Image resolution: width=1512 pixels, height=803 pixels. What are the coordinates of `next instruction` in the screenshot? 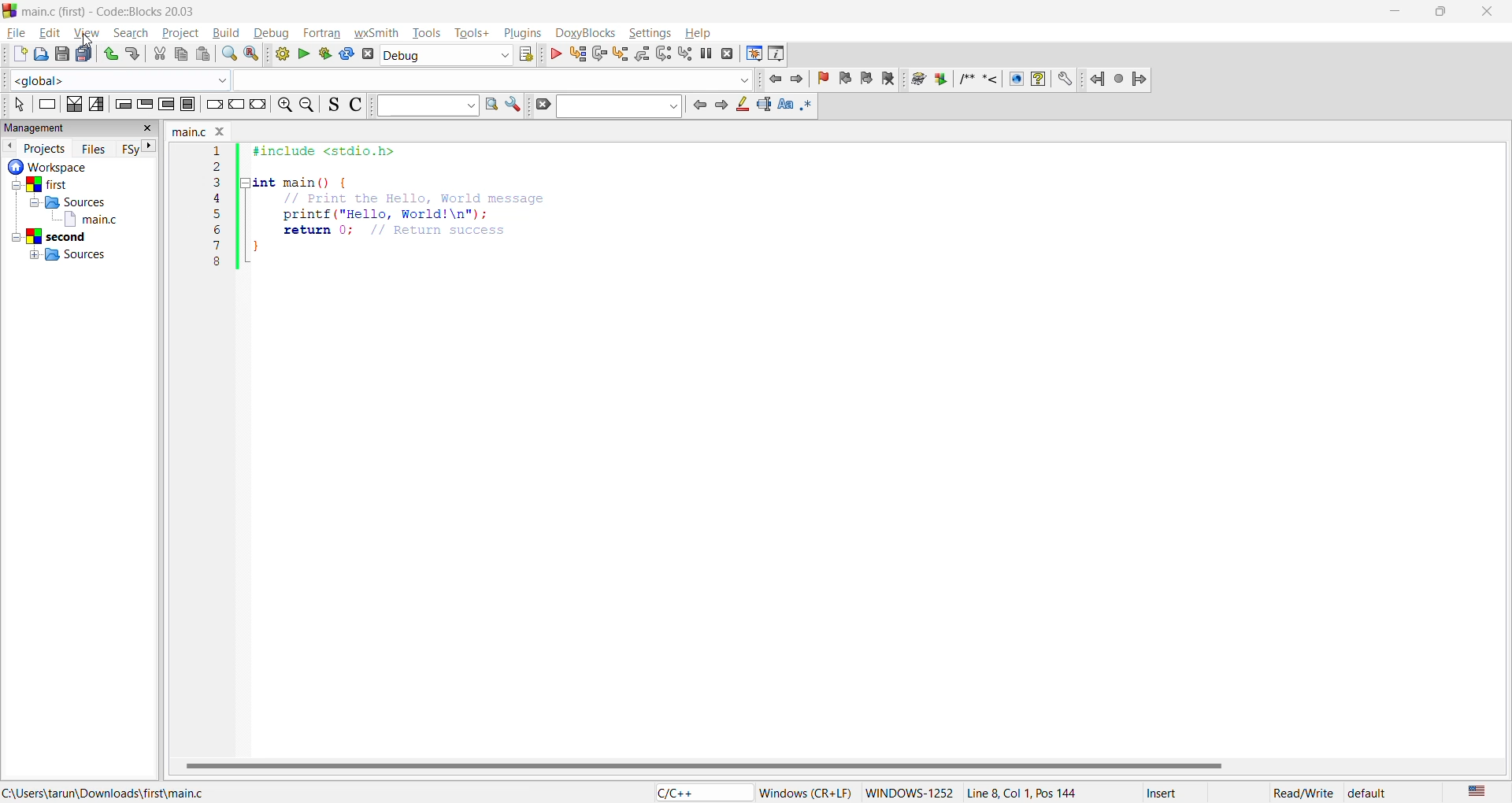 It's located at (664, 55).